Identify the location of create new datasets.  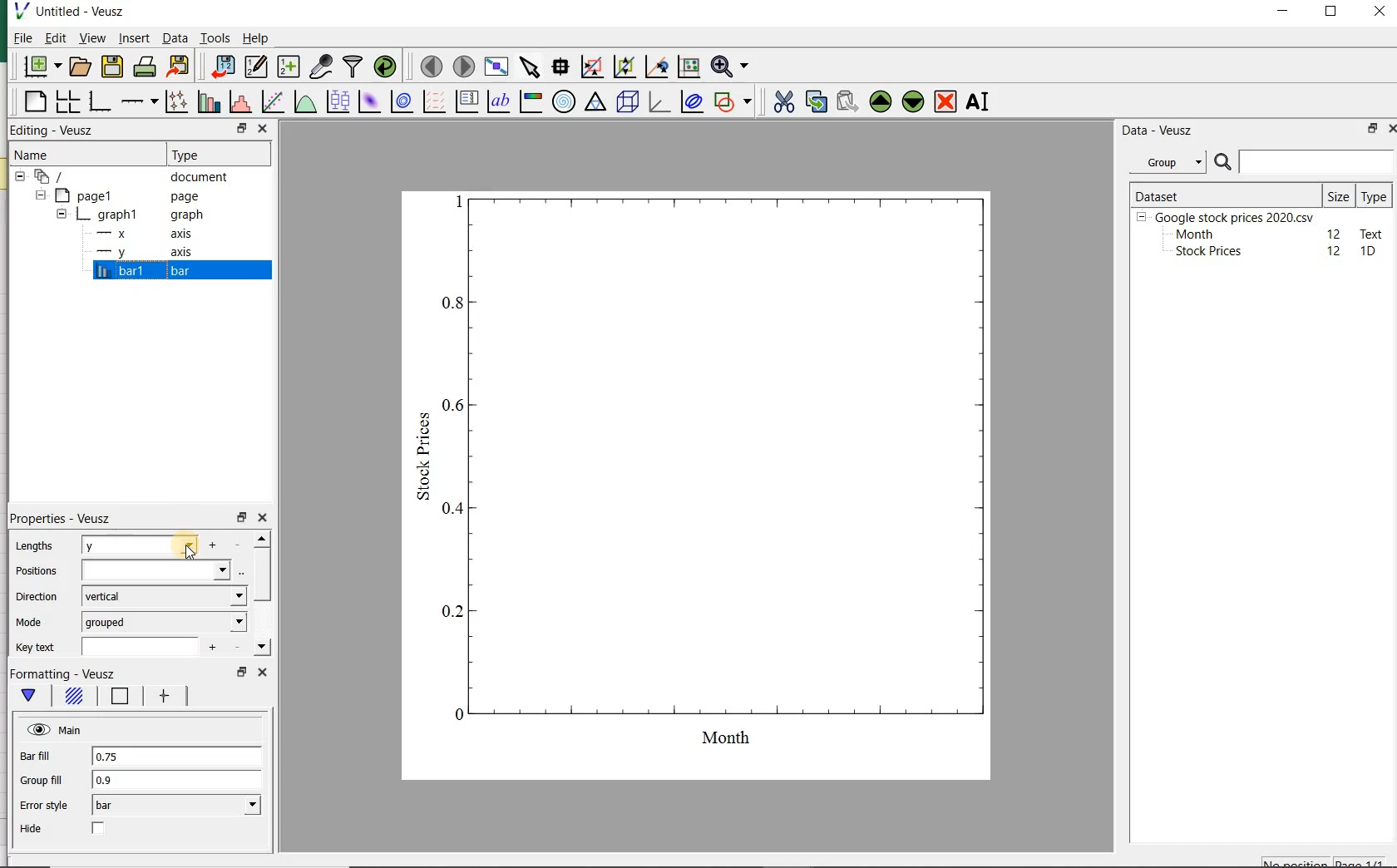
(289, 67).